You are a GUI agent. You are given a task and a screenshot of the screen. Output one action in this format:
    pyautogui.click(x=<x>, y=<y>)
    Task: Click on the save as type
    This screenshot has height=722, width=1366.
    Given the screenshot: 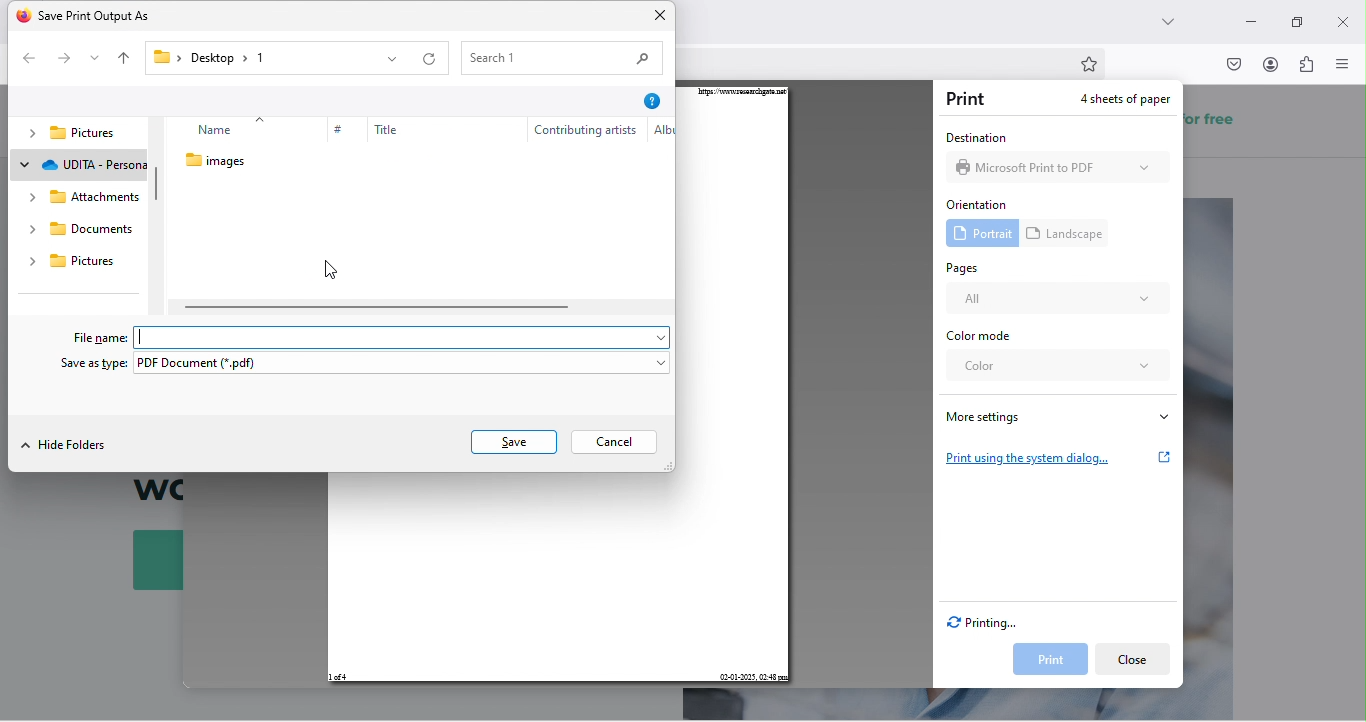 What is the action you would take?
    pyautogui.click(x=366, y=365)
    